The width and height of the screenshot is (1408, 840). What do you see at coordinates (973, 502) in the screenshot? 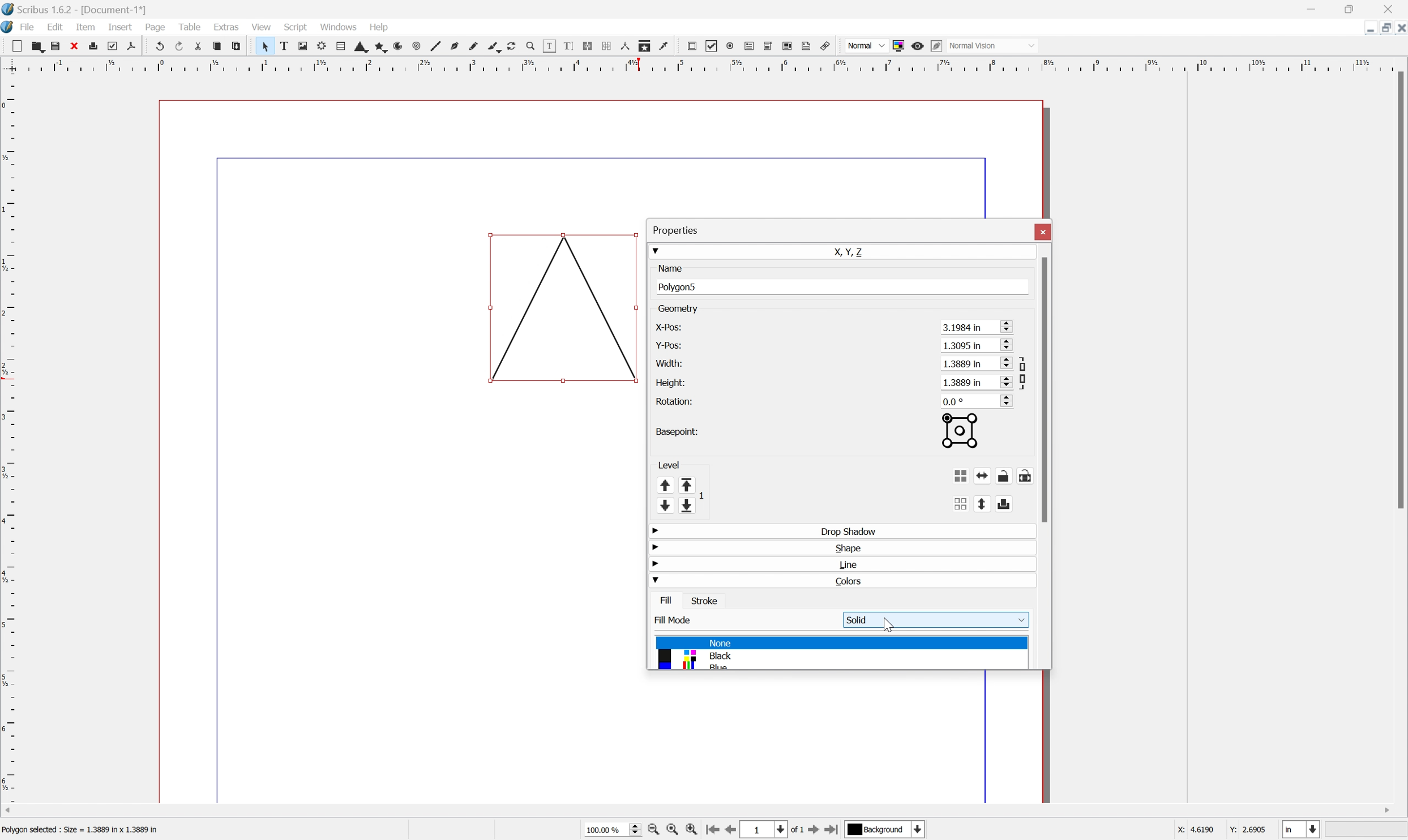
I see `Ungroup the selected group` at bounding box center [973, 502].